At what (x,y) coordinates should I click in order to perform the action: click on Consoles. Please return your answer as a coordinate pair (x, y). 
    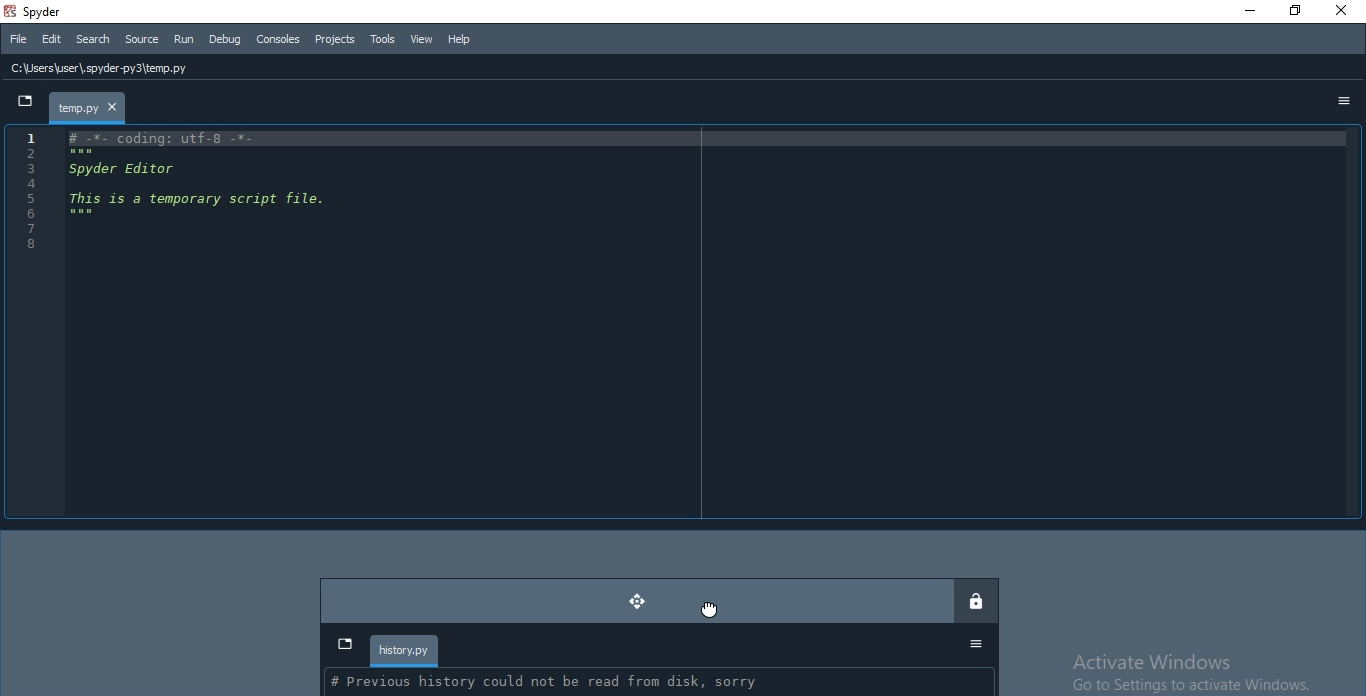
    Looking at the image, I should click on (279, 39).